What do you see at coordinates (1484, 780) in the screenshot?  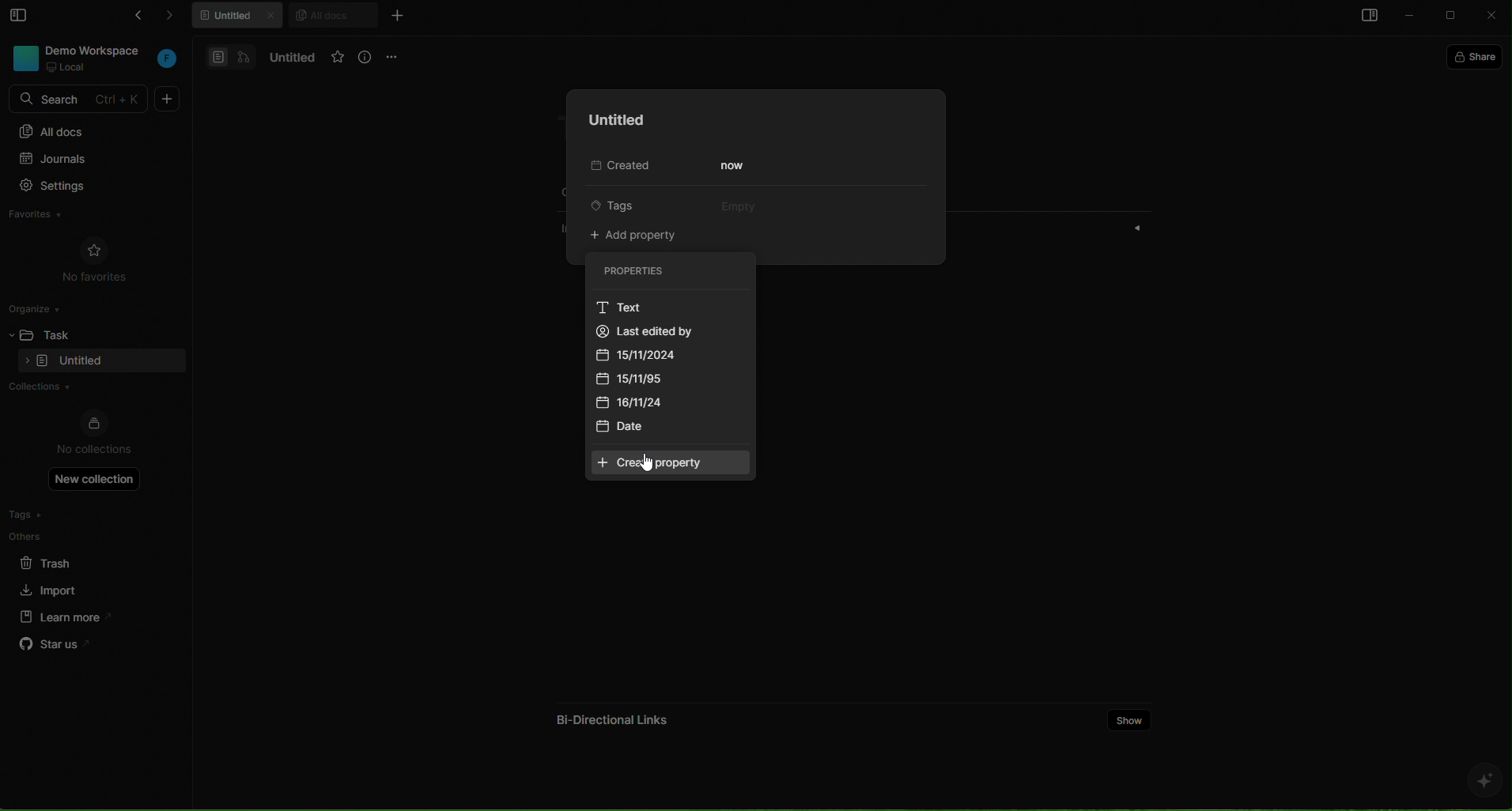 I see `ai` at bounding box center [1484, 780].